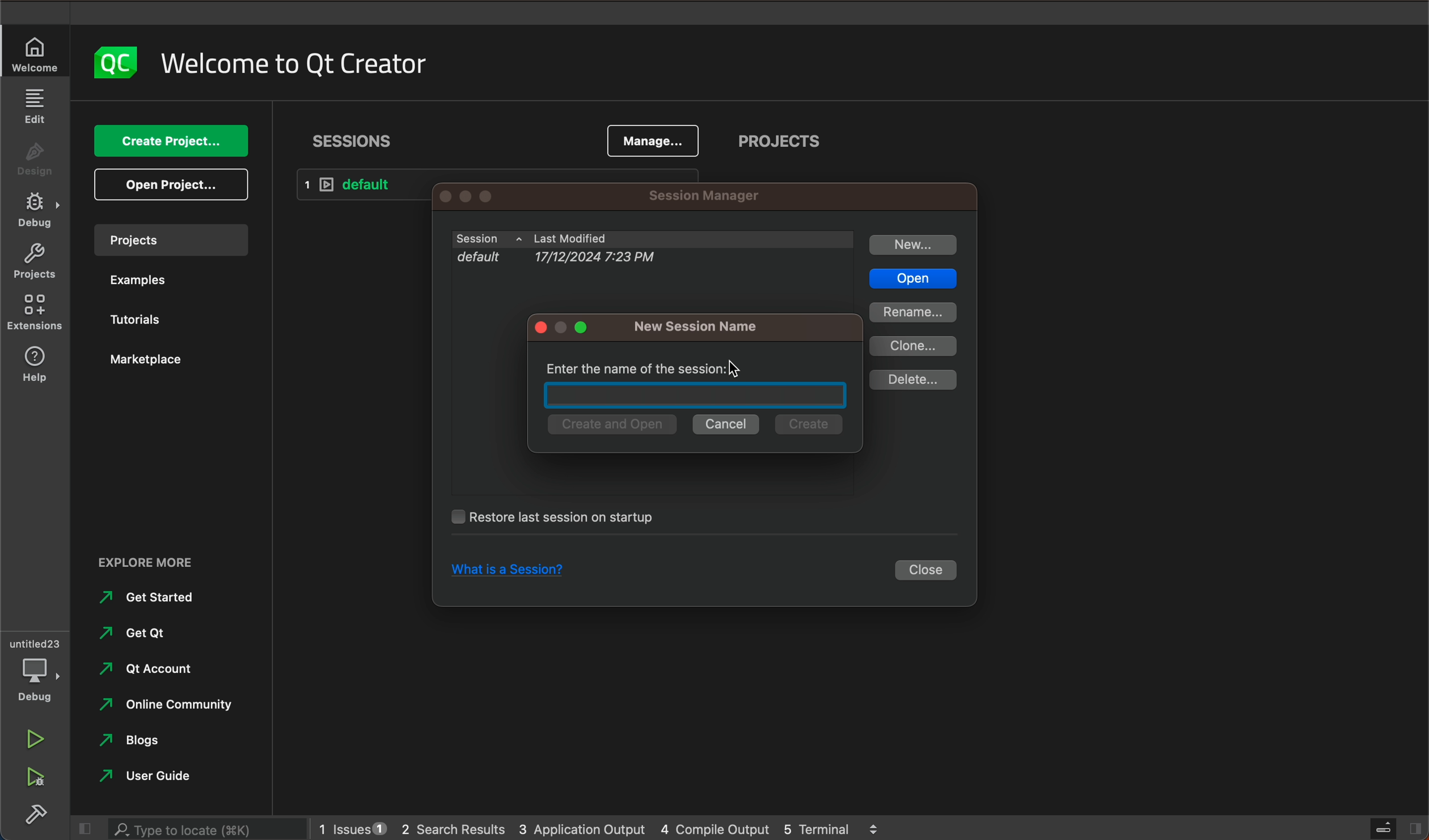  Describe the element at coordinates (37, 669) in the screenshot. I see `debug` at that location.